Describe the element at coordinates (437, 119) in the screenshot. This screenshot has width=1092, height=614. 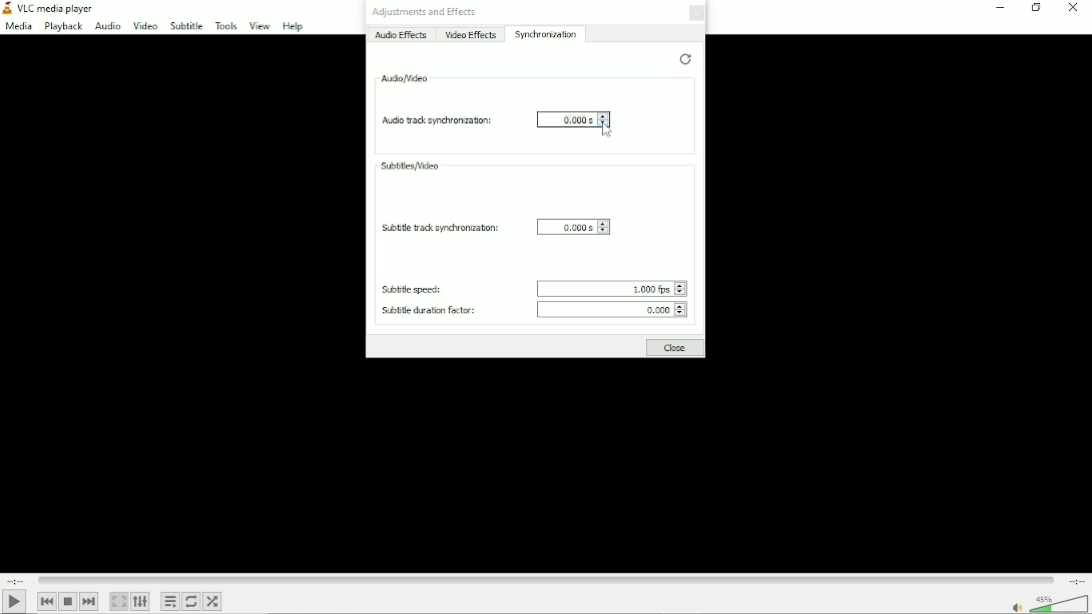
I see `Audio track synchronization` at that location.